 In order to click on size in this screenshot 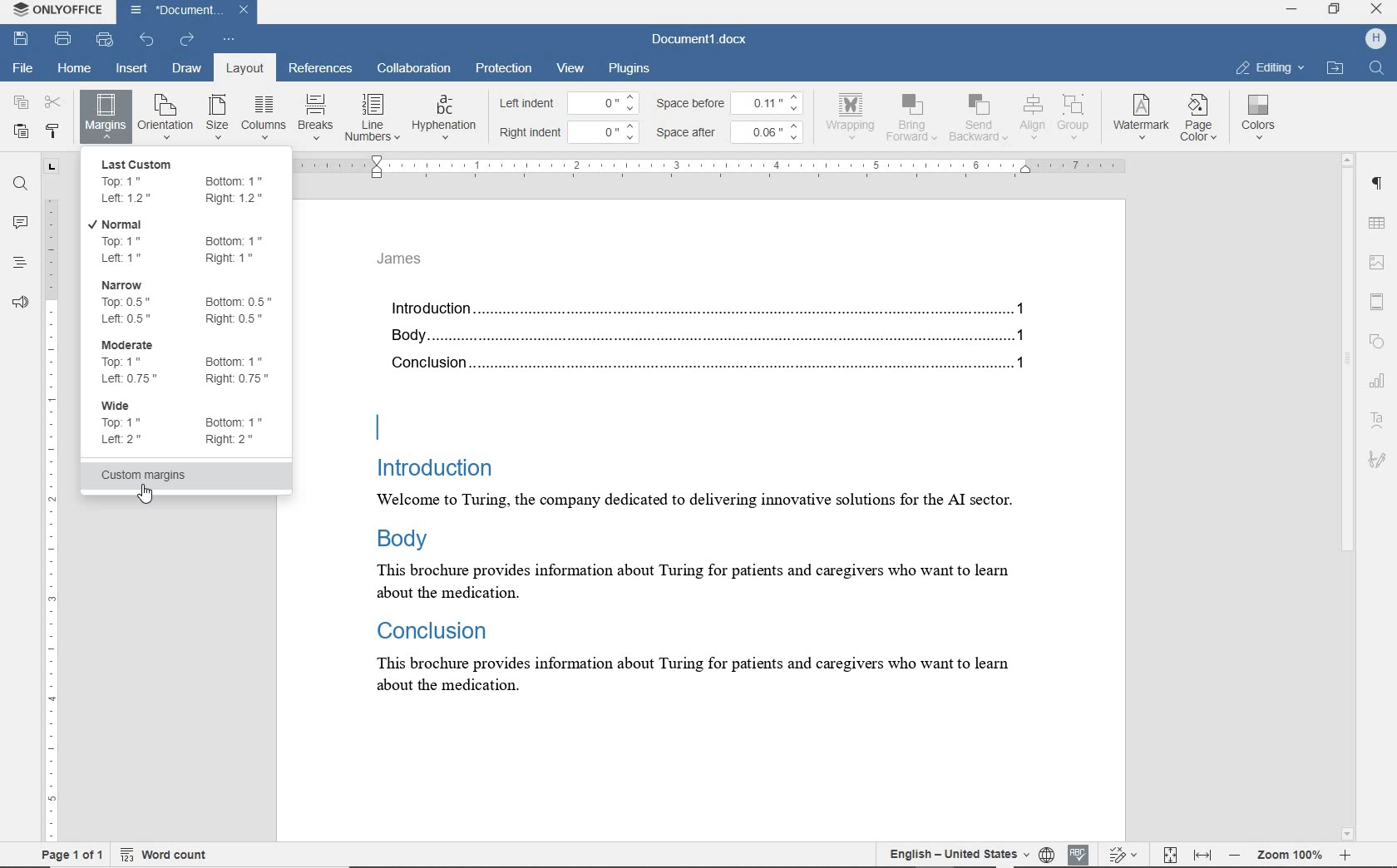, I will do `click(217, 118)`.